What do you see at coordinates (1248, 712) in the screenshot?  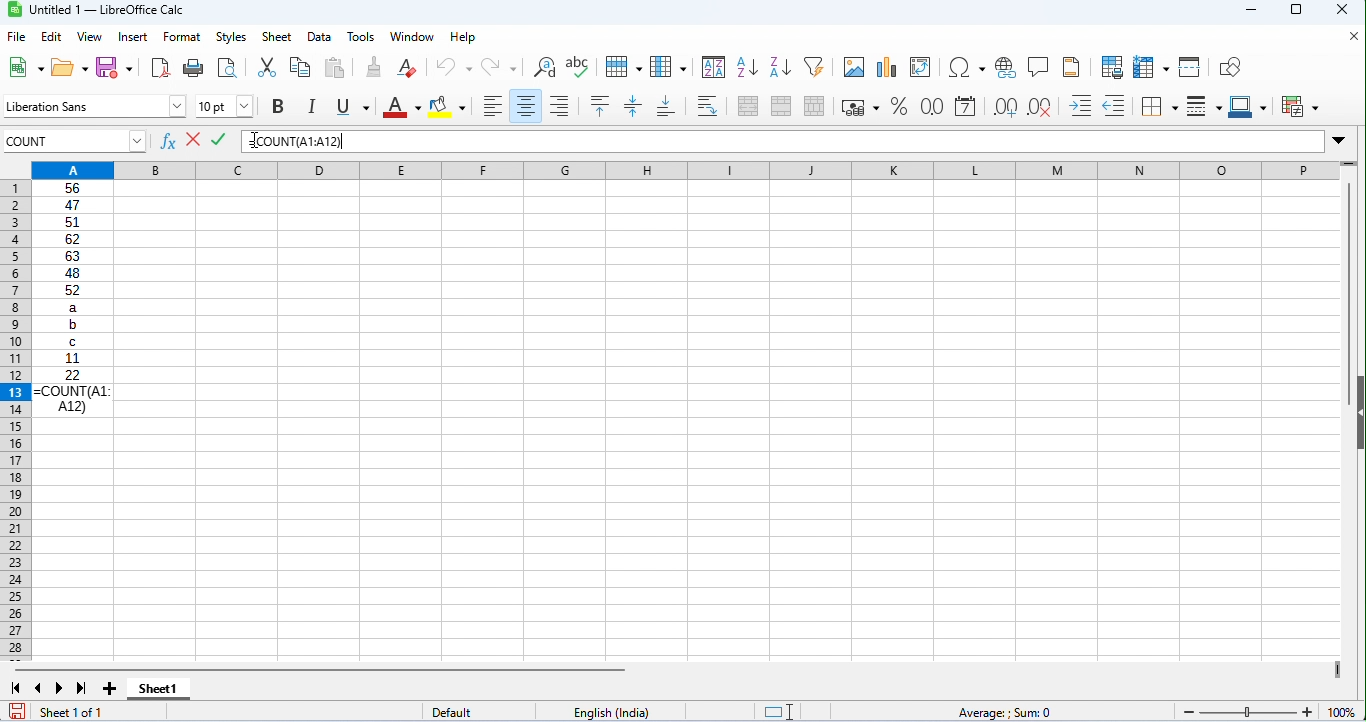 I see `Zoom slider` at bounding box center [1248, 712].